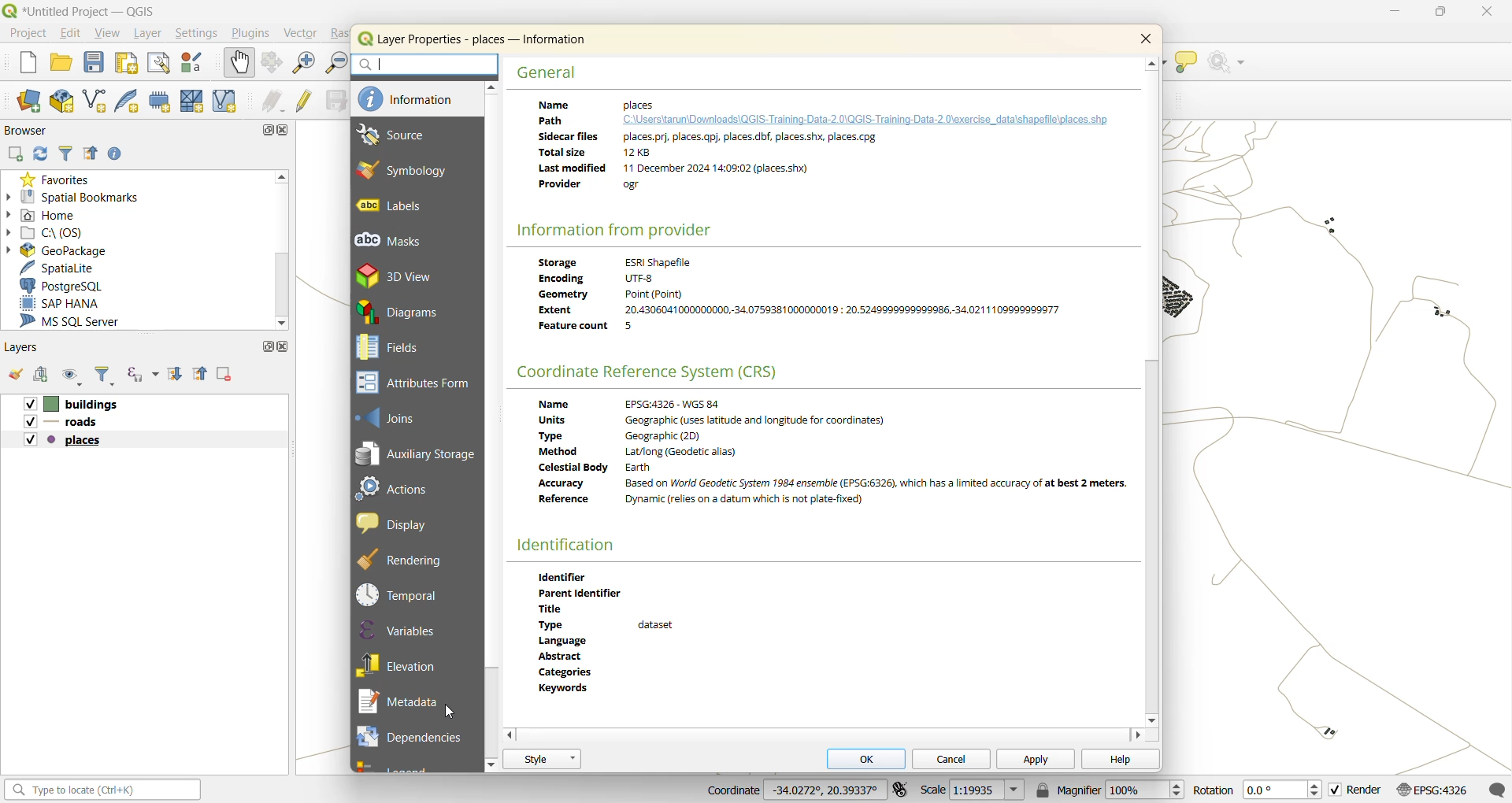 The image size is (1512, 803). Describe the element at coordinates (226, 102) in the screenshot. I see `new virtual` at that location.